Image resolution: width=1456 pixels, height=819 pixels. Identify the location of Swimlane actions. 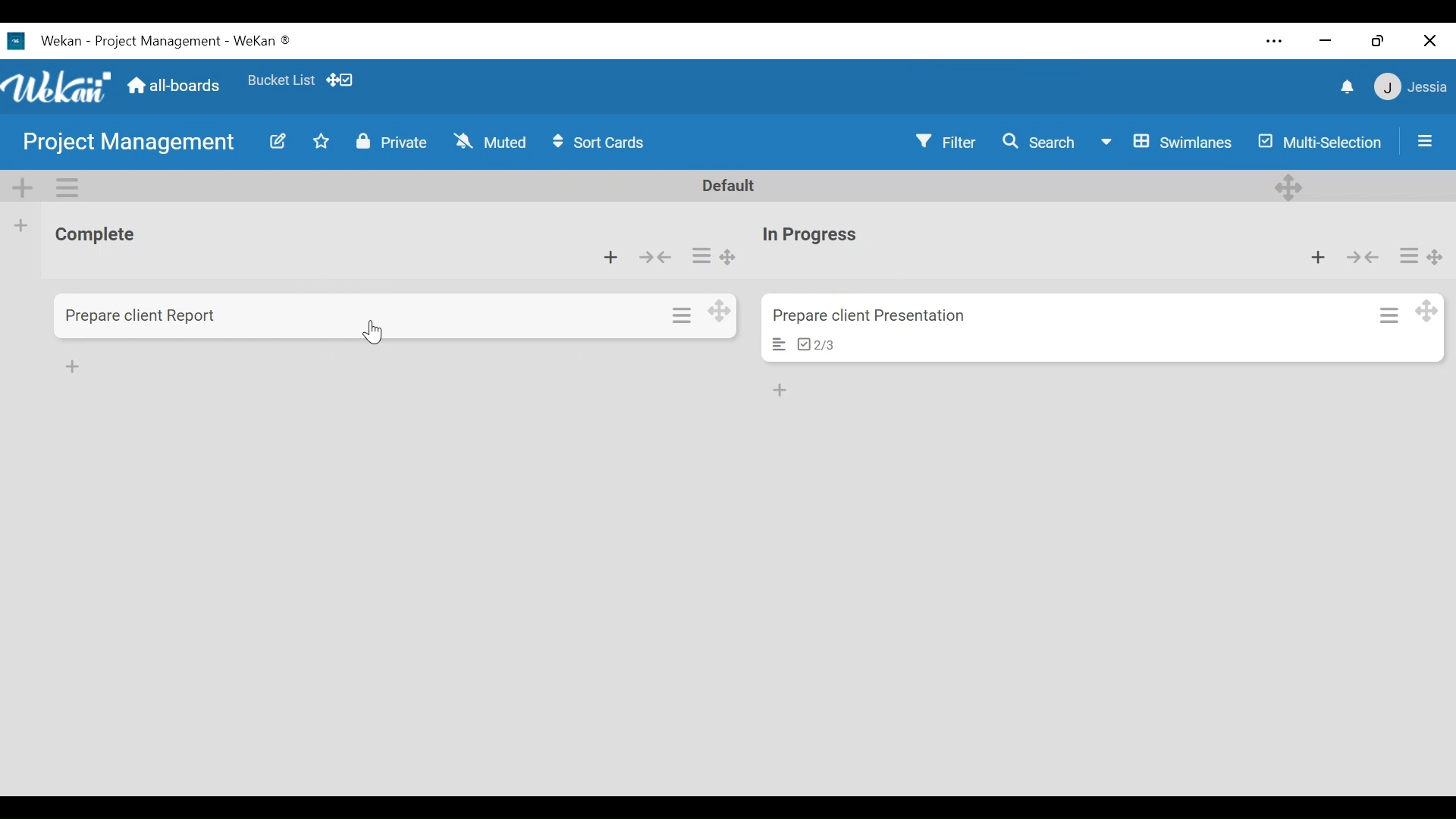
(65, 187).